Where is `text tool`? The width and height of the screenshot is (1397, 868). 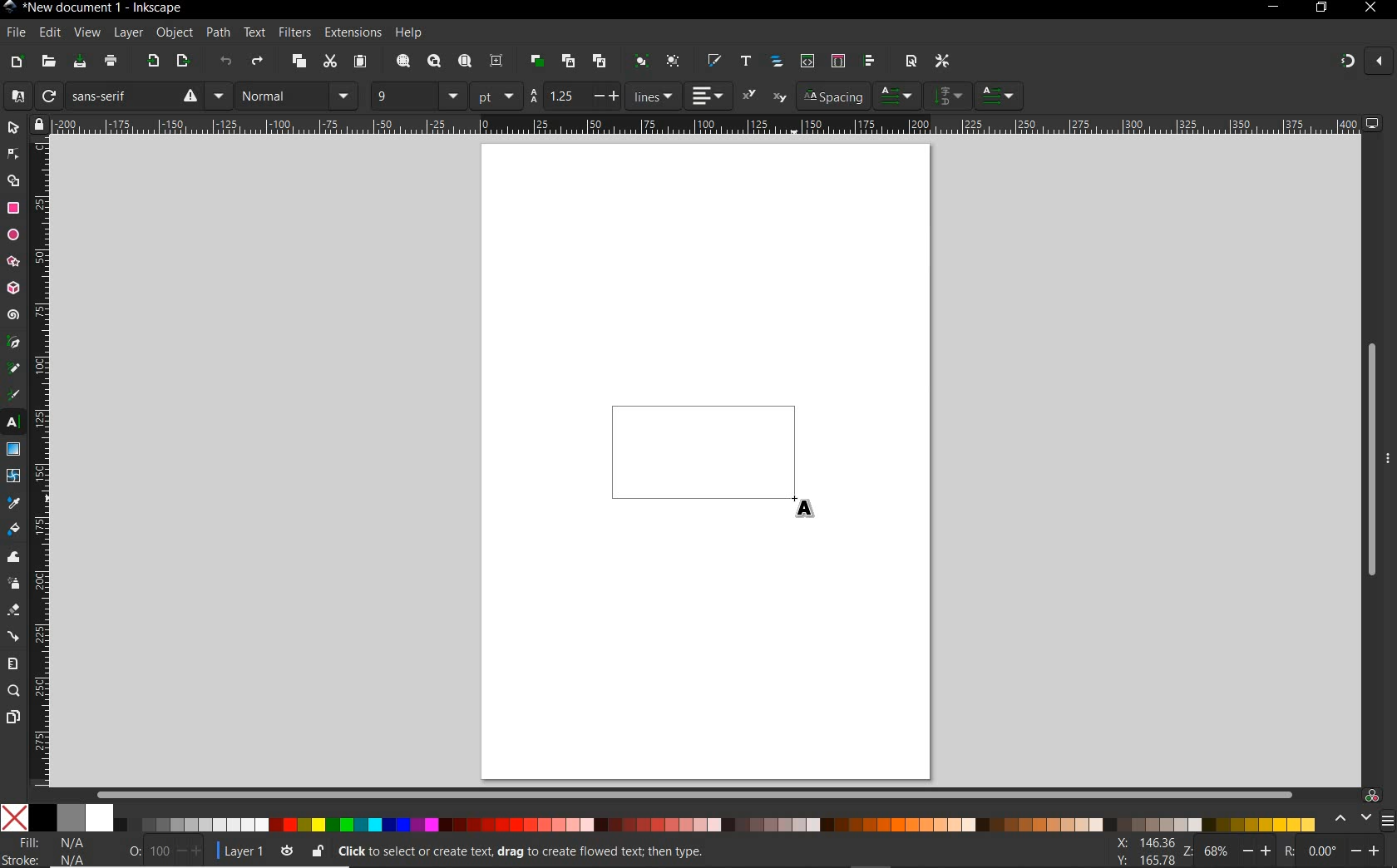
text tool is located at coordinates (13, 423).